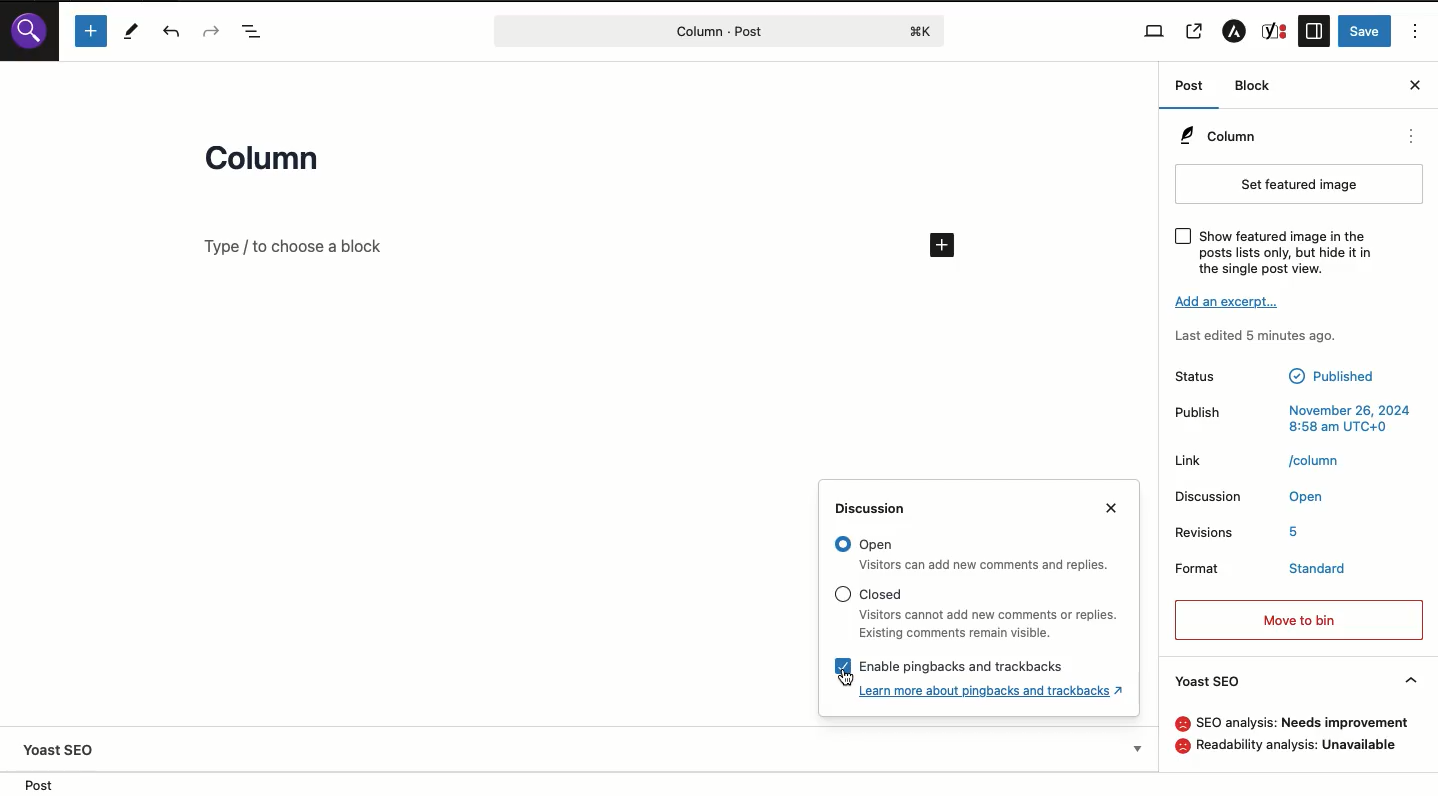 The width and height of the screenshot is (1438, 796). Describe the element at coordinates (1184, 236) in the screenshot. I see `Checkbox ` at that location.